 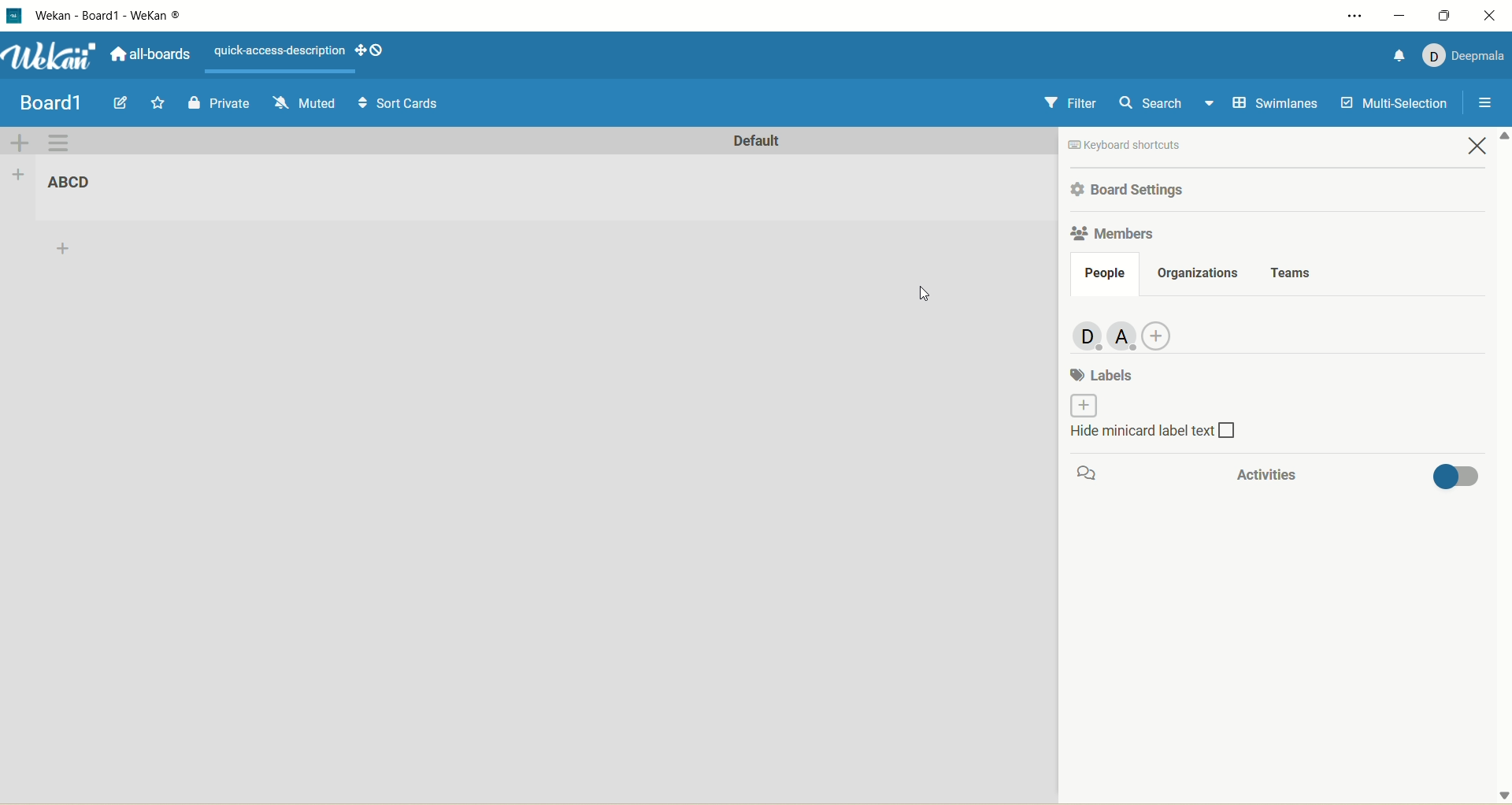 I want to click on swimlane actions, so click(x=59, y=144).